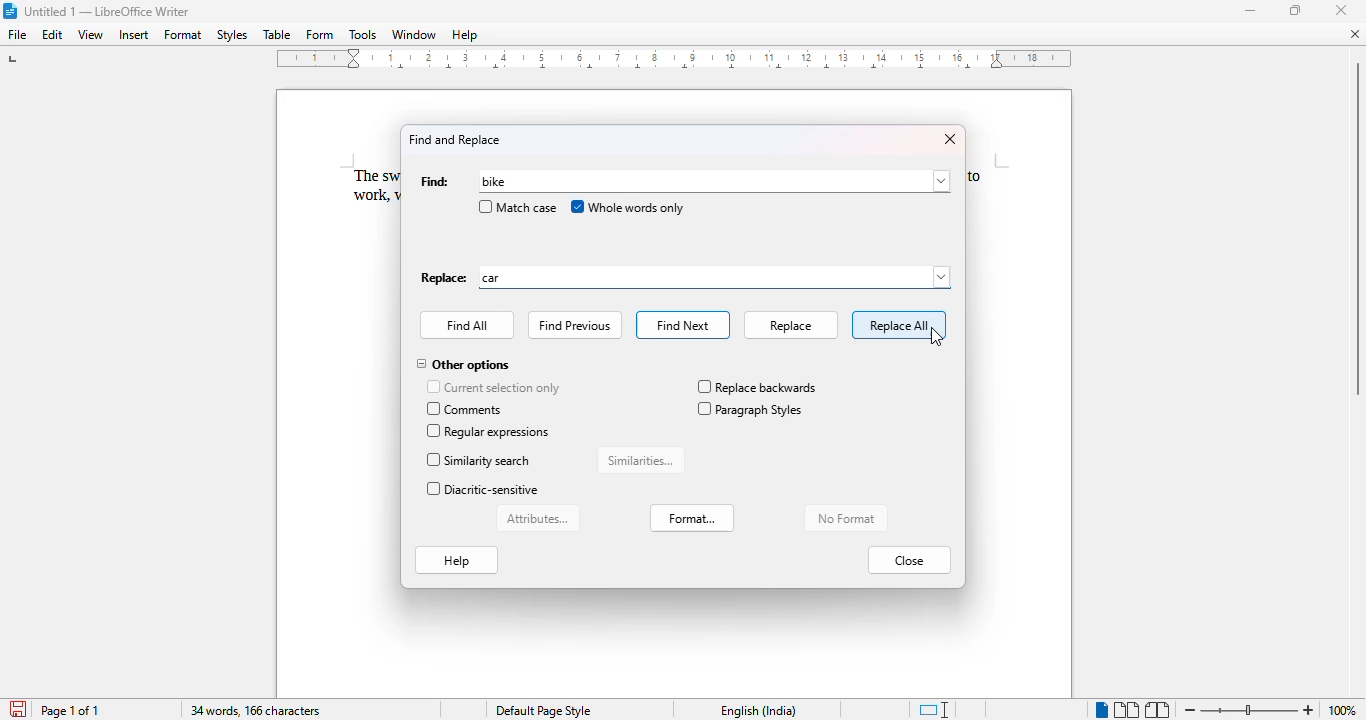 Image resolution: width=1366 pixels, height=720 pixels. I want to click on styles, so click(231, 35).